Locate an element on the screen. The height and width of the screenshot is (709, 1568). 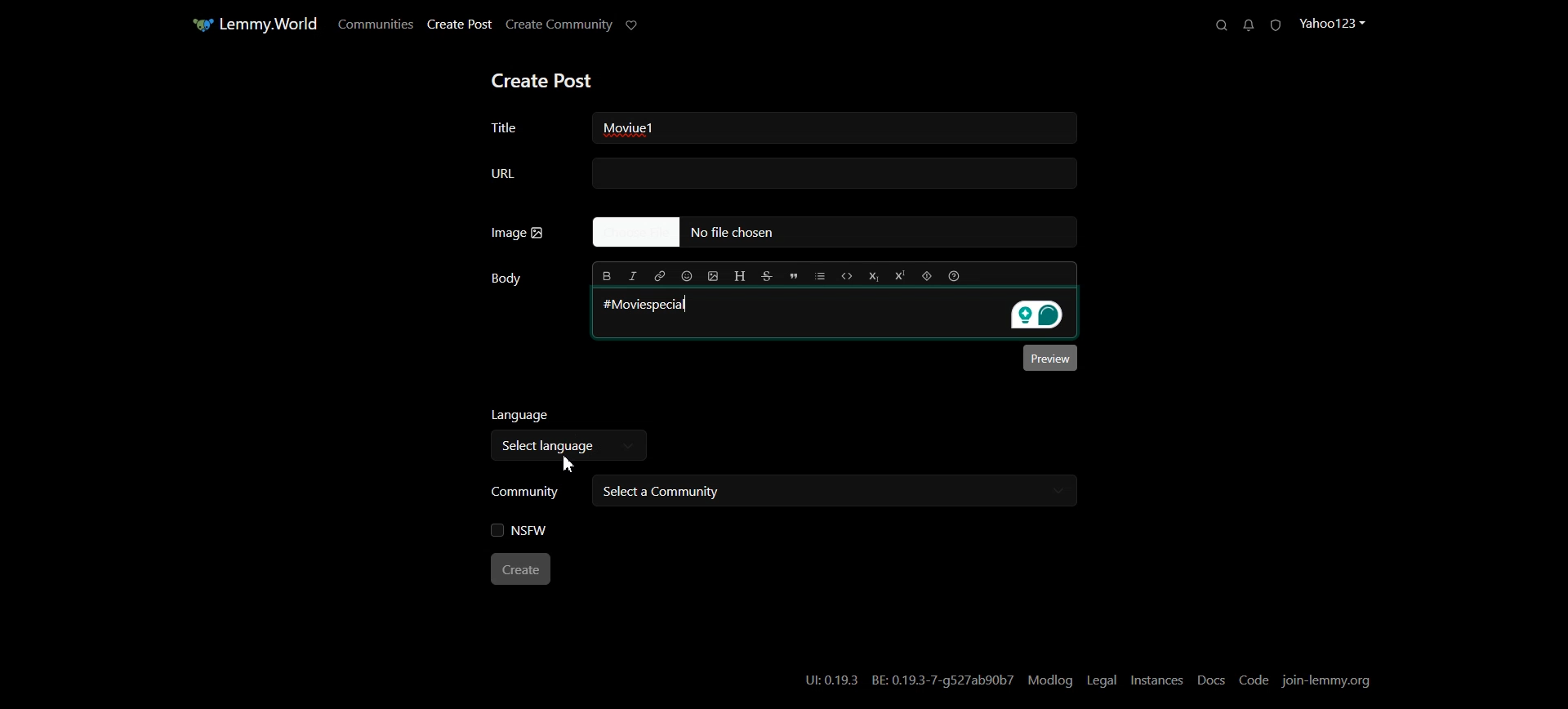
Support Limmy is located at coordinates (636, 26).